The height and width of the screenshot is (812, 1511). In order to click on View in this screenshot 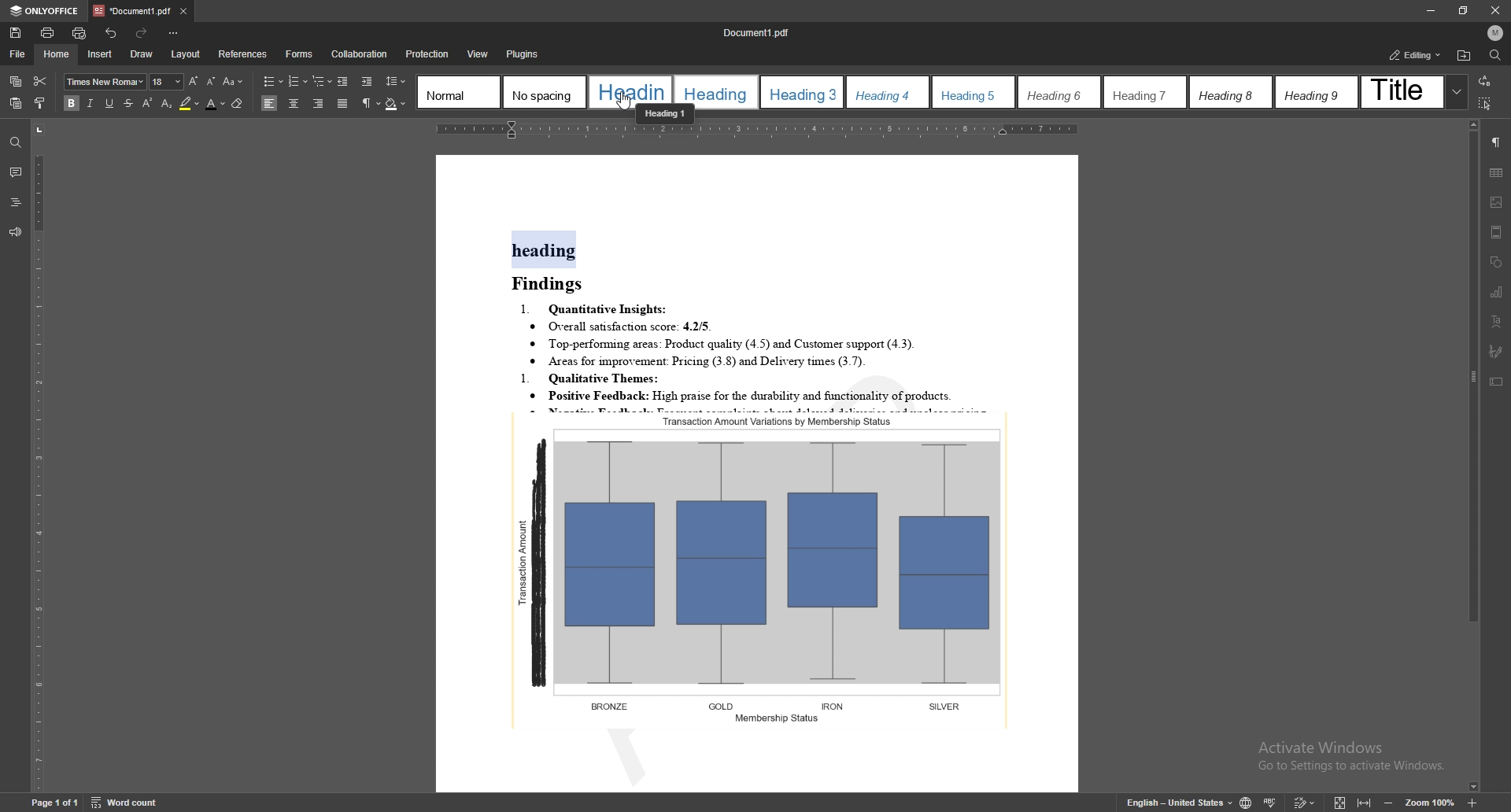, I will do `click(476, 54)`.